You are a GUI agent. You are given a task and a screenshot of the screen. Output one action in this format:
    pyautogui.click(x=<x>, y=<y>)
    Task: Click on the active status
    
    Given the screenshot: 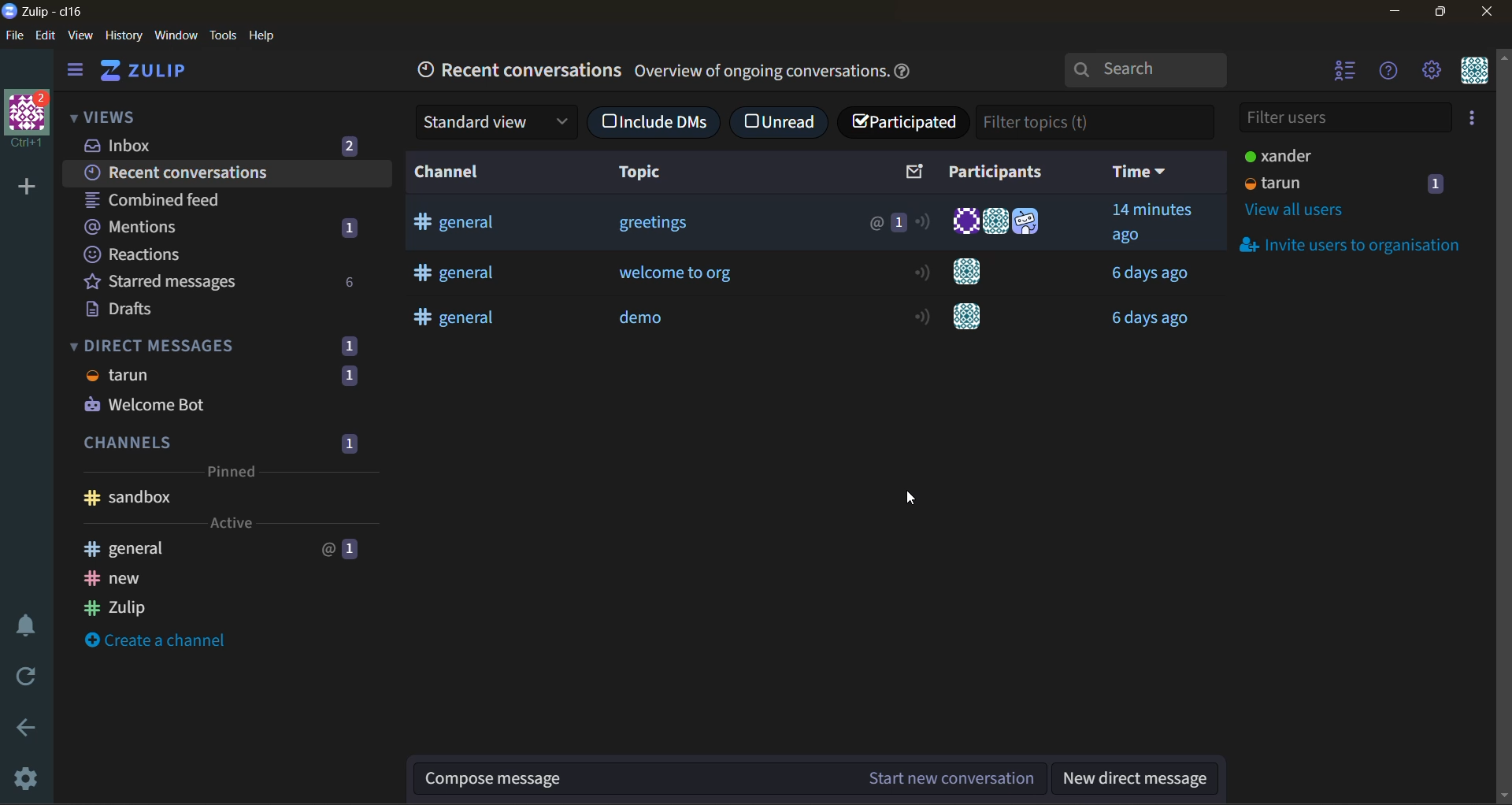 What is the action you would take?
    pyautogui.click(x=923, y=271)
    